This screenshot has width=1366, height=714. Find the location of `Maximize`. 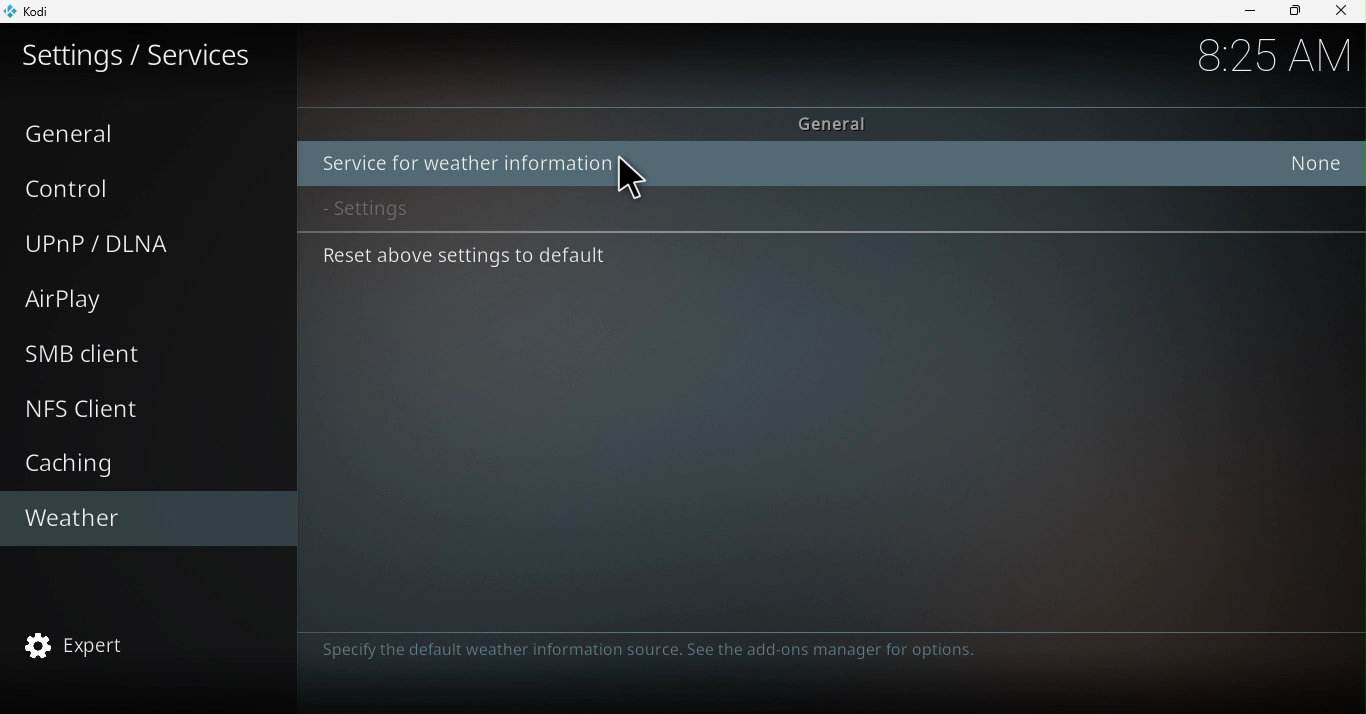

Maximize is located at coordinates (1295, 9).